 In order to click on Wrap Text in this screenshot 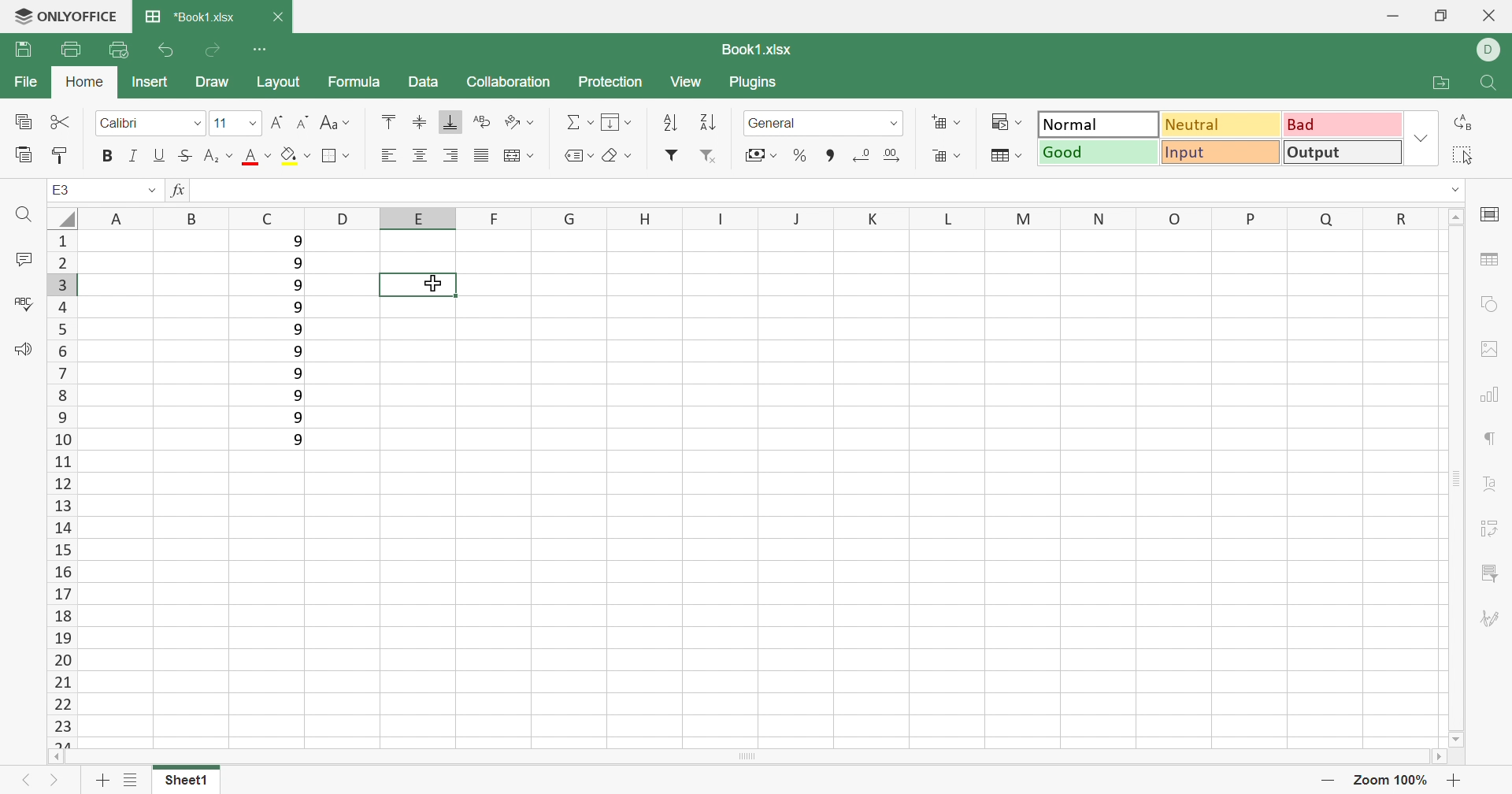, I will do `click(483, 121)`.